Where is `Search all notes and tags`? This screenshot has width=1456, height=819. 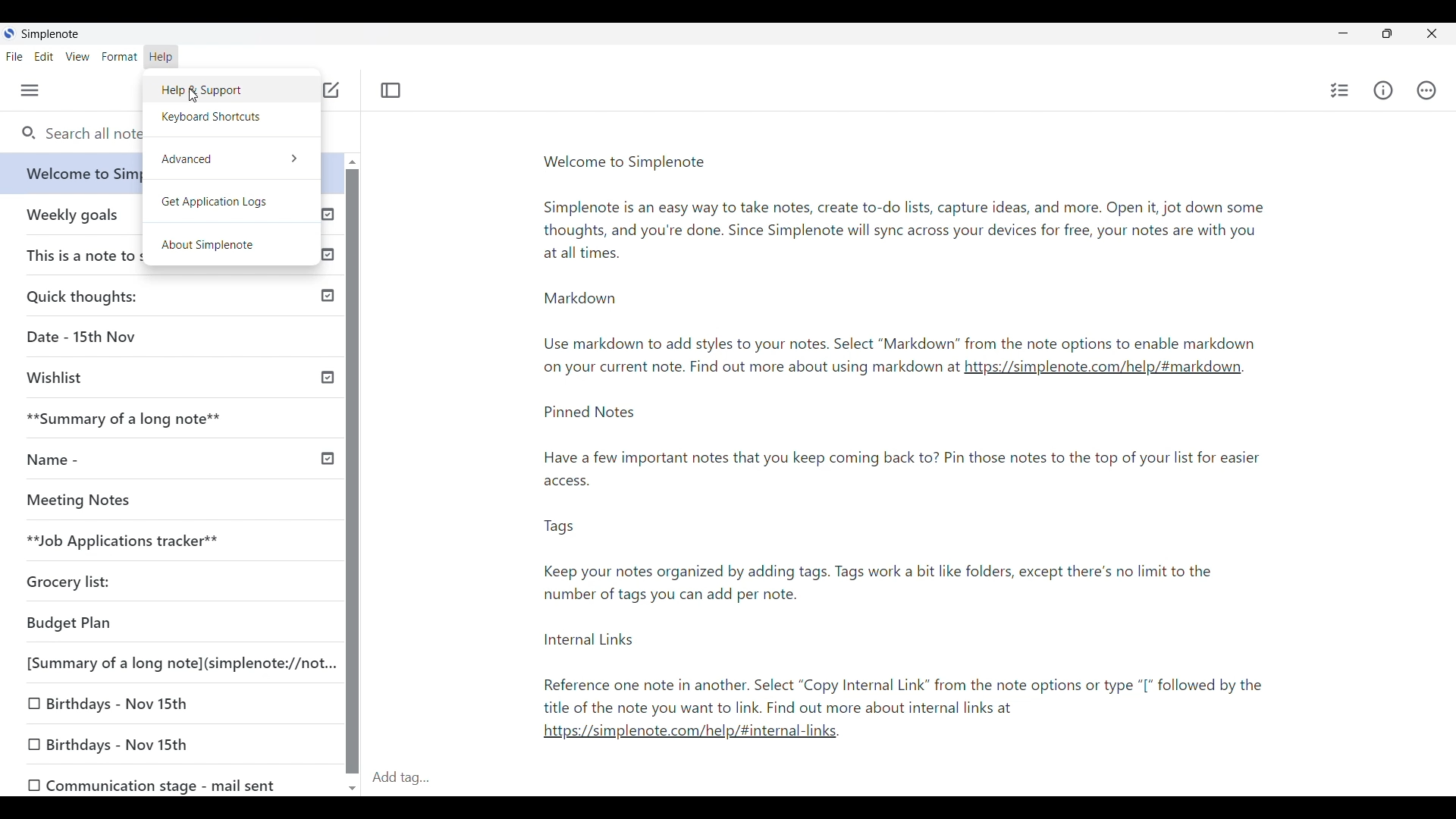 Search all notes and tags is located at coordinates (81, 135).